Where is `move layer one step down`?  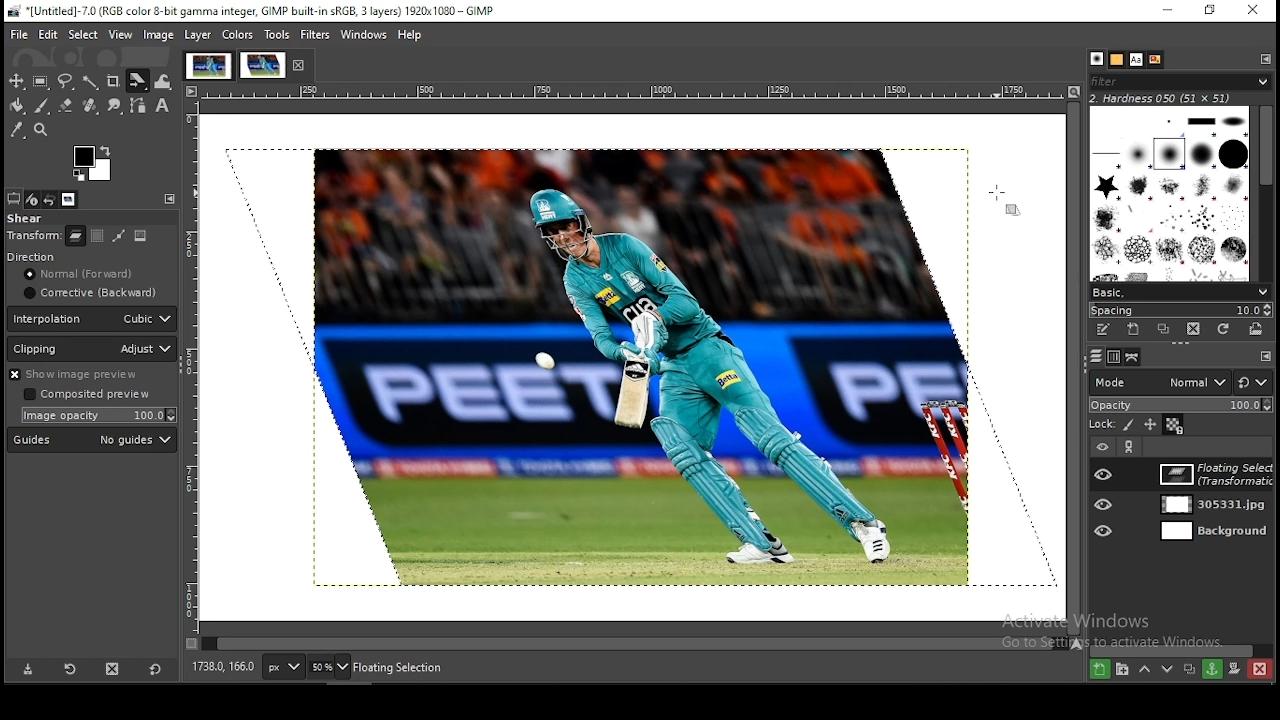
move layer one step down is located at coordinates (1169, 670).